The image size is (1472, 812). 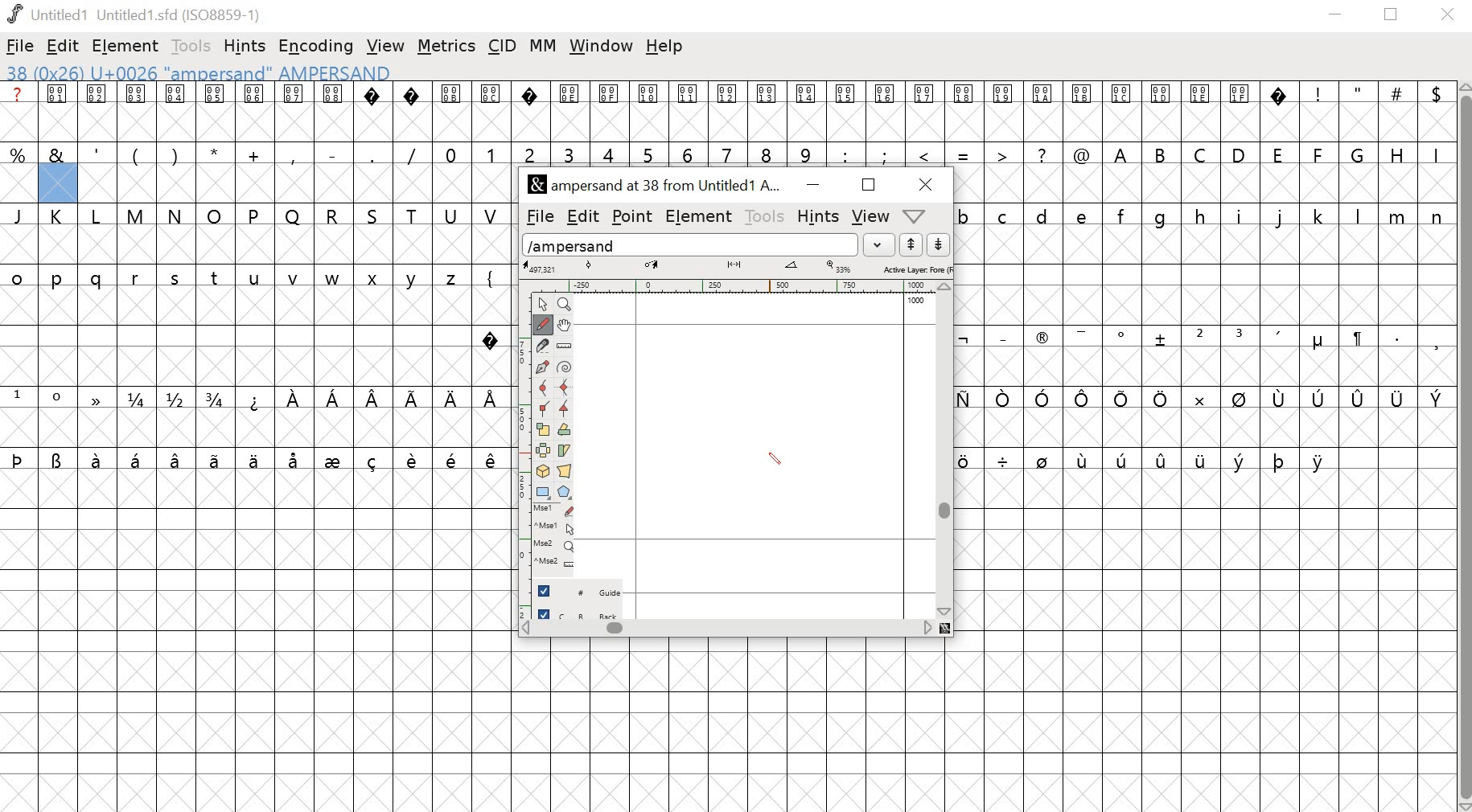 I want to click on ?, so click(x=1281, y=112).